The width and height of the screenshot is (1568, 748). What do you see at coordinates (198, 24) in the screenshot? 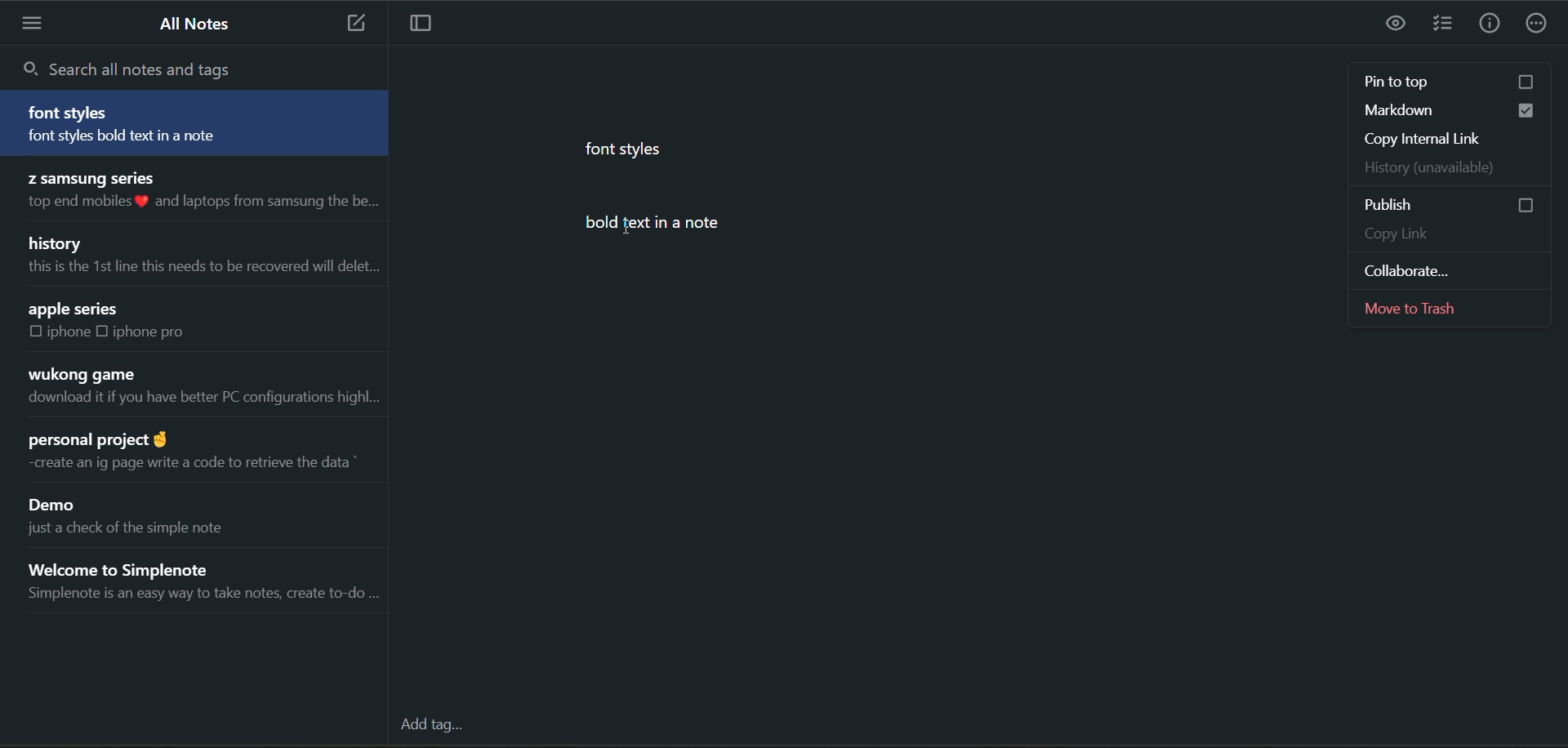
I see `all notes` at bounding box center [198, 24].